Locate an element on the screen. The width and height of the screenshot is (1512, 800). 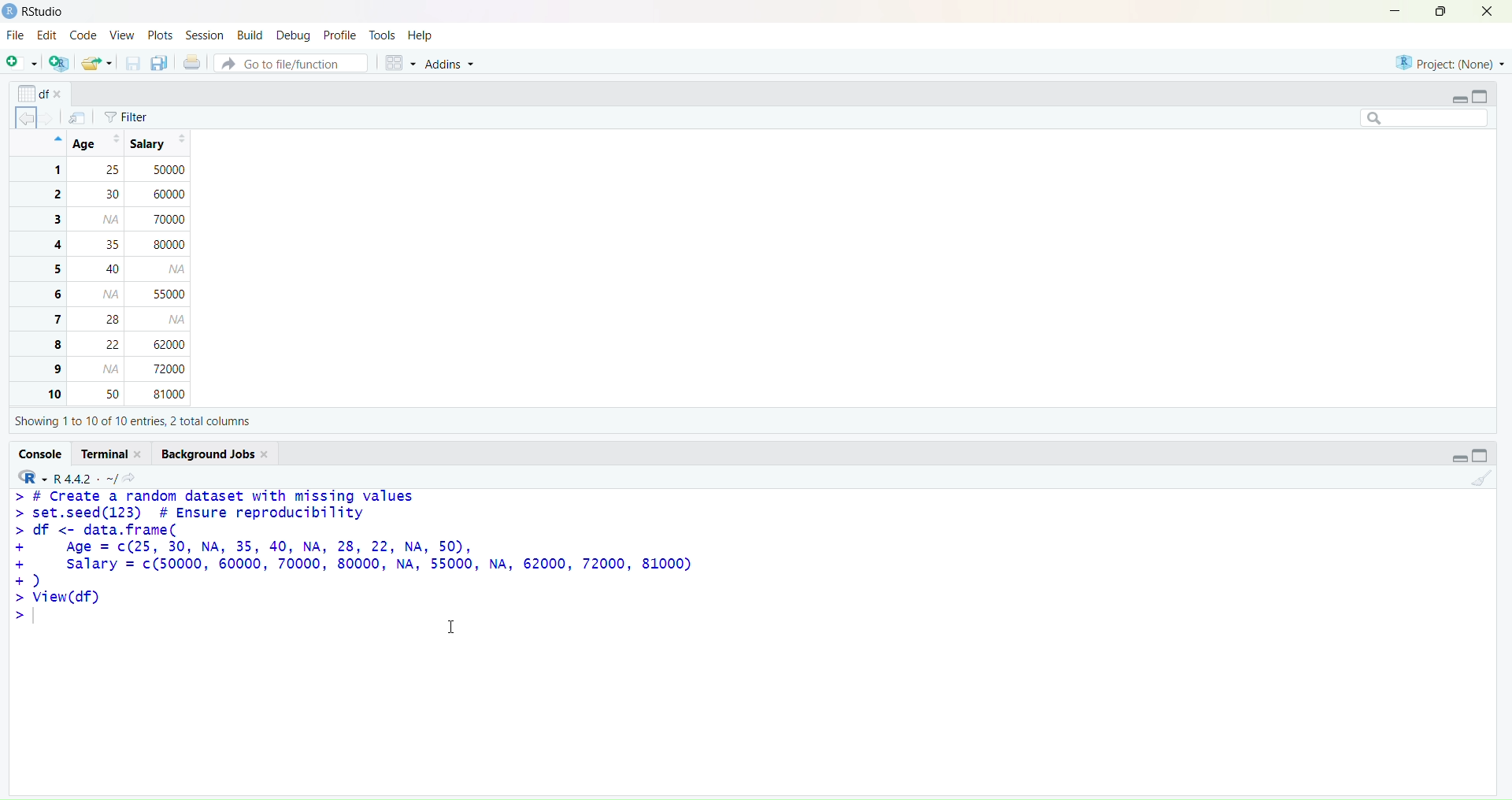
Rstudio is located at coordinates (35, 11).